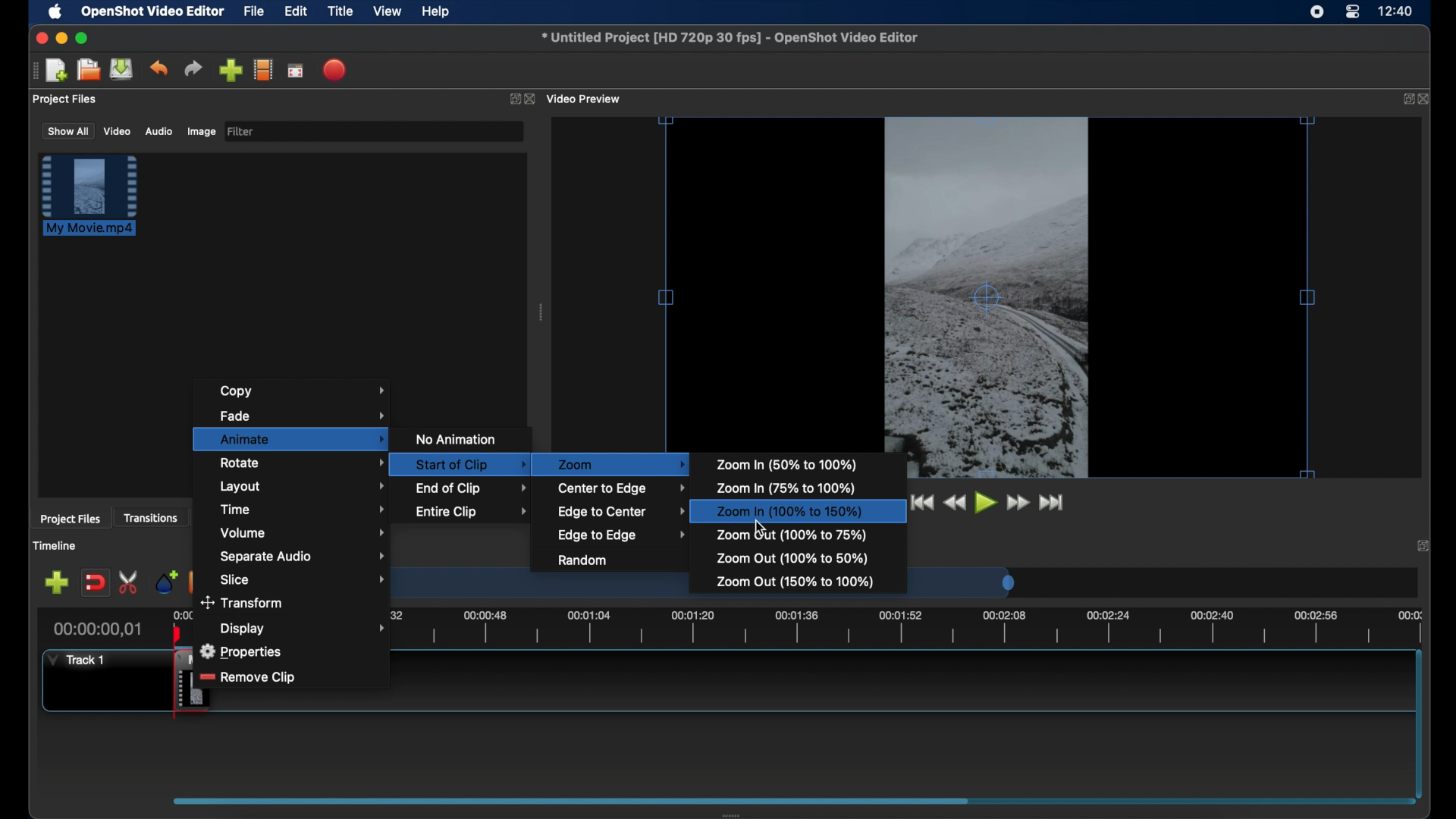 Image resolution: width=1456 pixels, height=819 pixels. Describe the element at coordinates (303, 557) in the screenshot. I see `separate audio menu` at that location.